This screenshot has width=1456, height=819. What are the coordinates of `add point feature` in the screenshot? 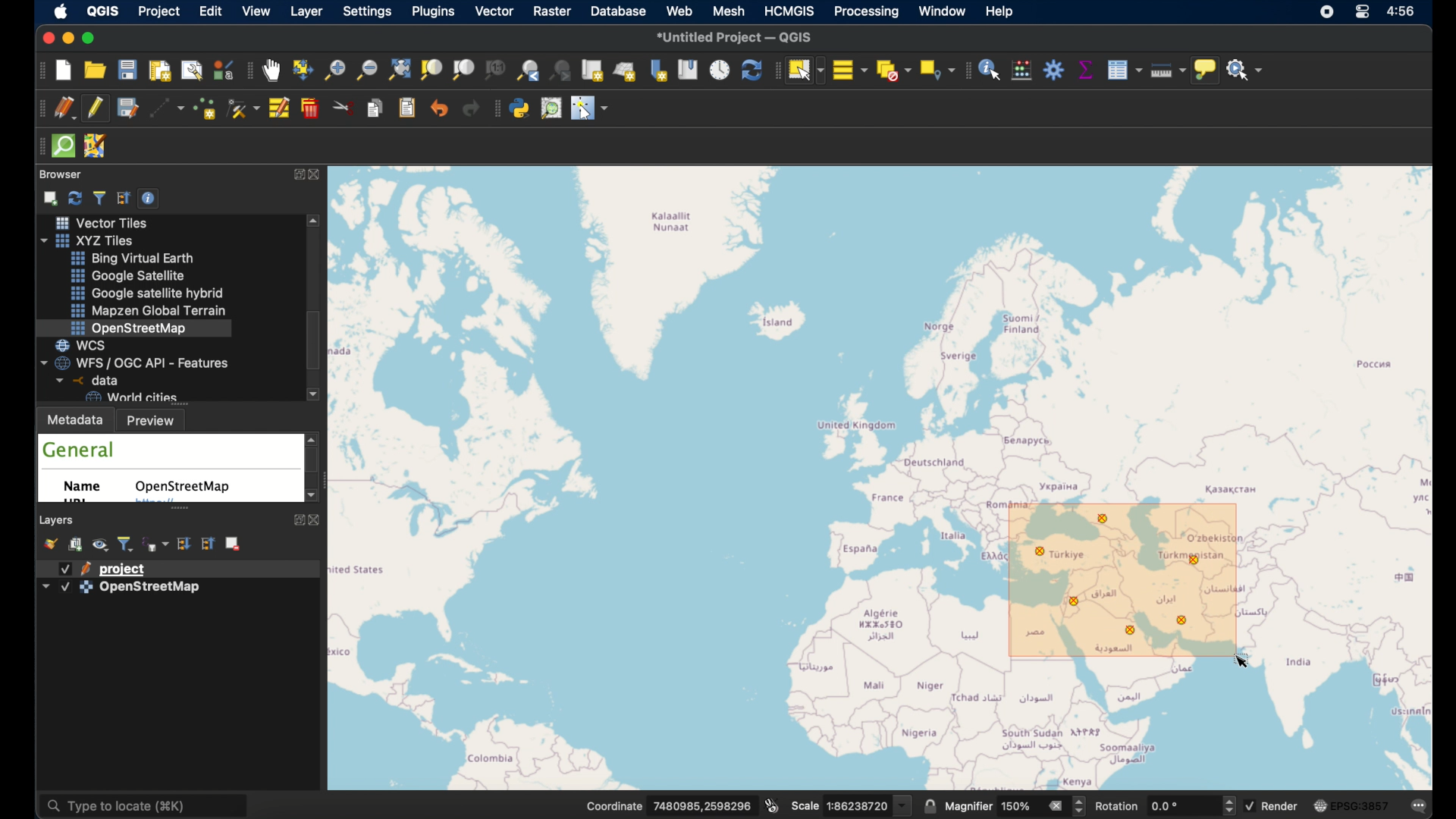 It's located at (207, 108).